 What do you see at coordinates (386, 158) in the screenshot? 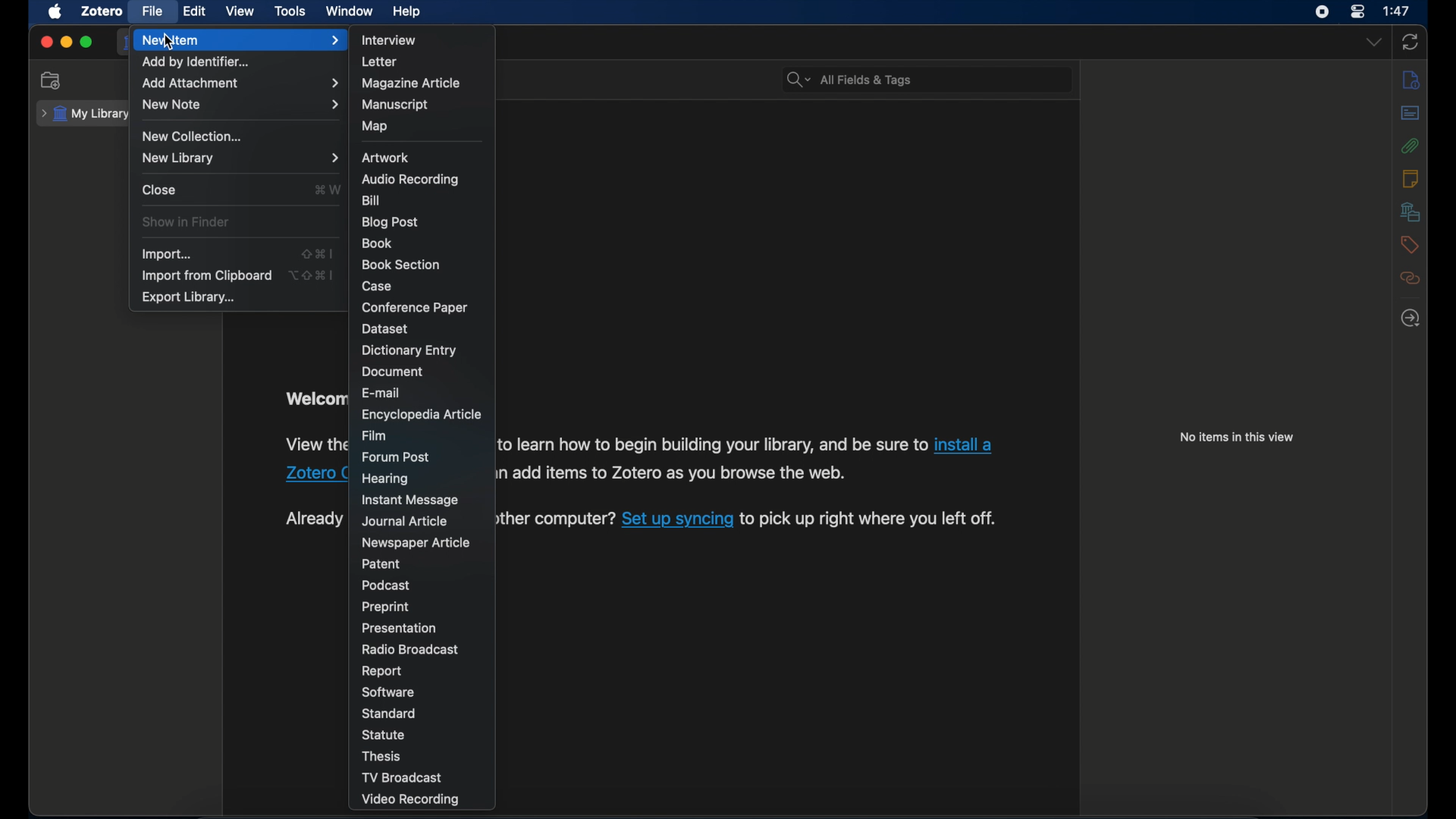
I see `artwork` at bounding box center [386, 158].